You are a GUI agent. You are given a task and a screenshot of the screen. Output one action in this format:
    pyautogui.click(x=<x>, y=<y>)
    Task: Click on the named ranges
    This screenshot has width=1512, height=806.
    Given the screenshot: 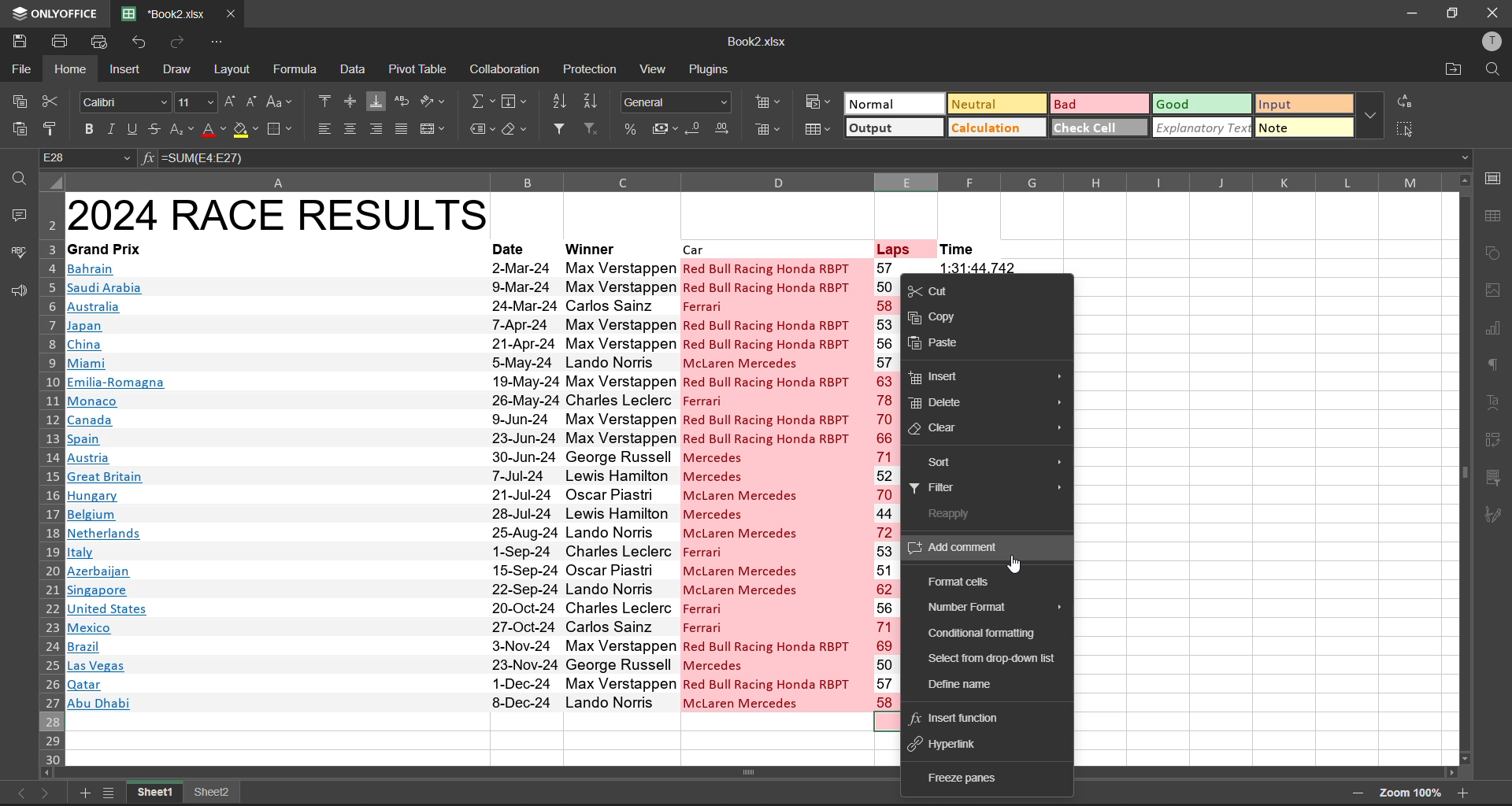 What is the action you would take?
    pyautogui.click(x=481, y=127)
    